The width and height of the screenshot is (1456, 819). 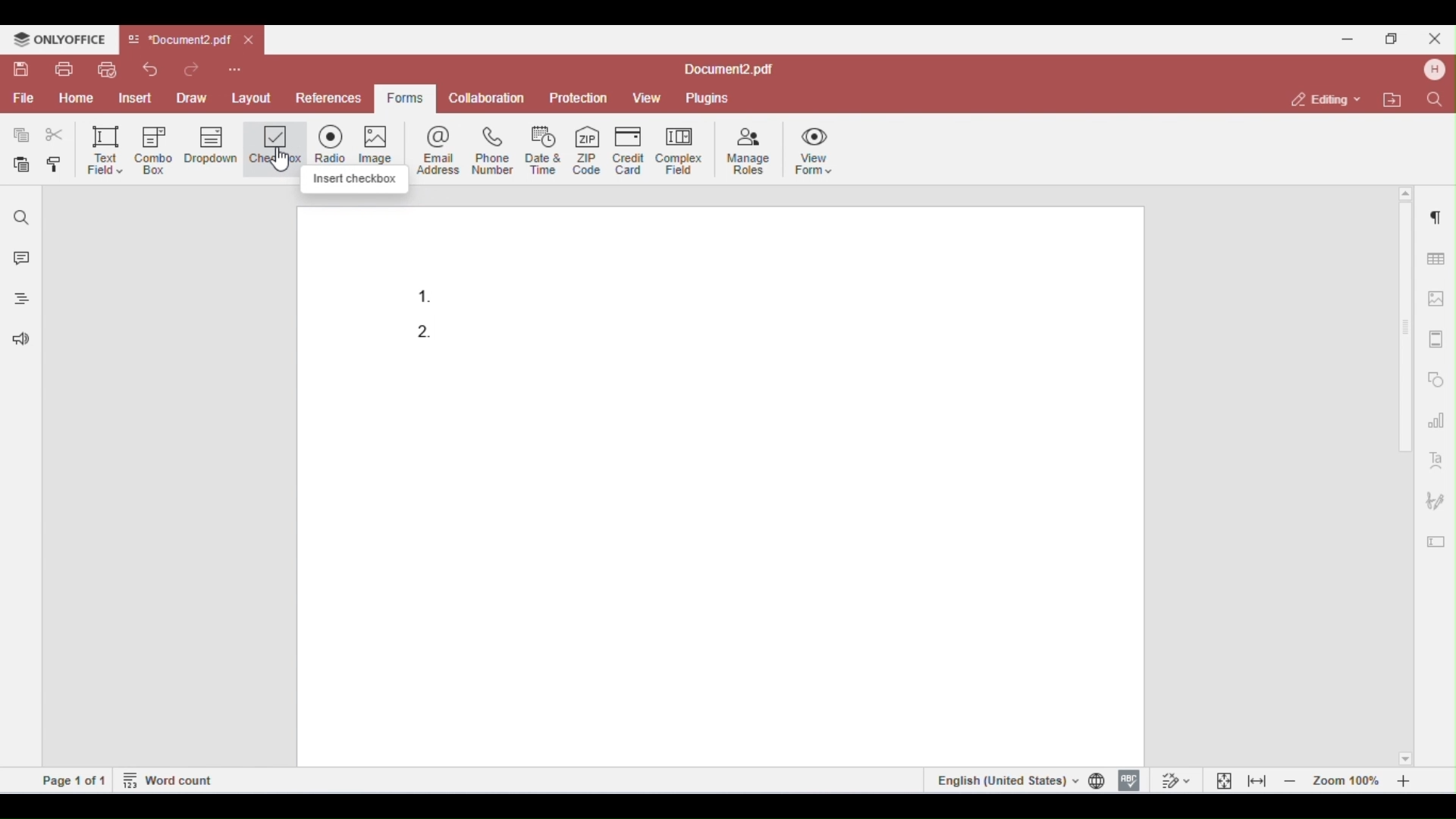 I want to click on comments, so click(x=18, y=260).